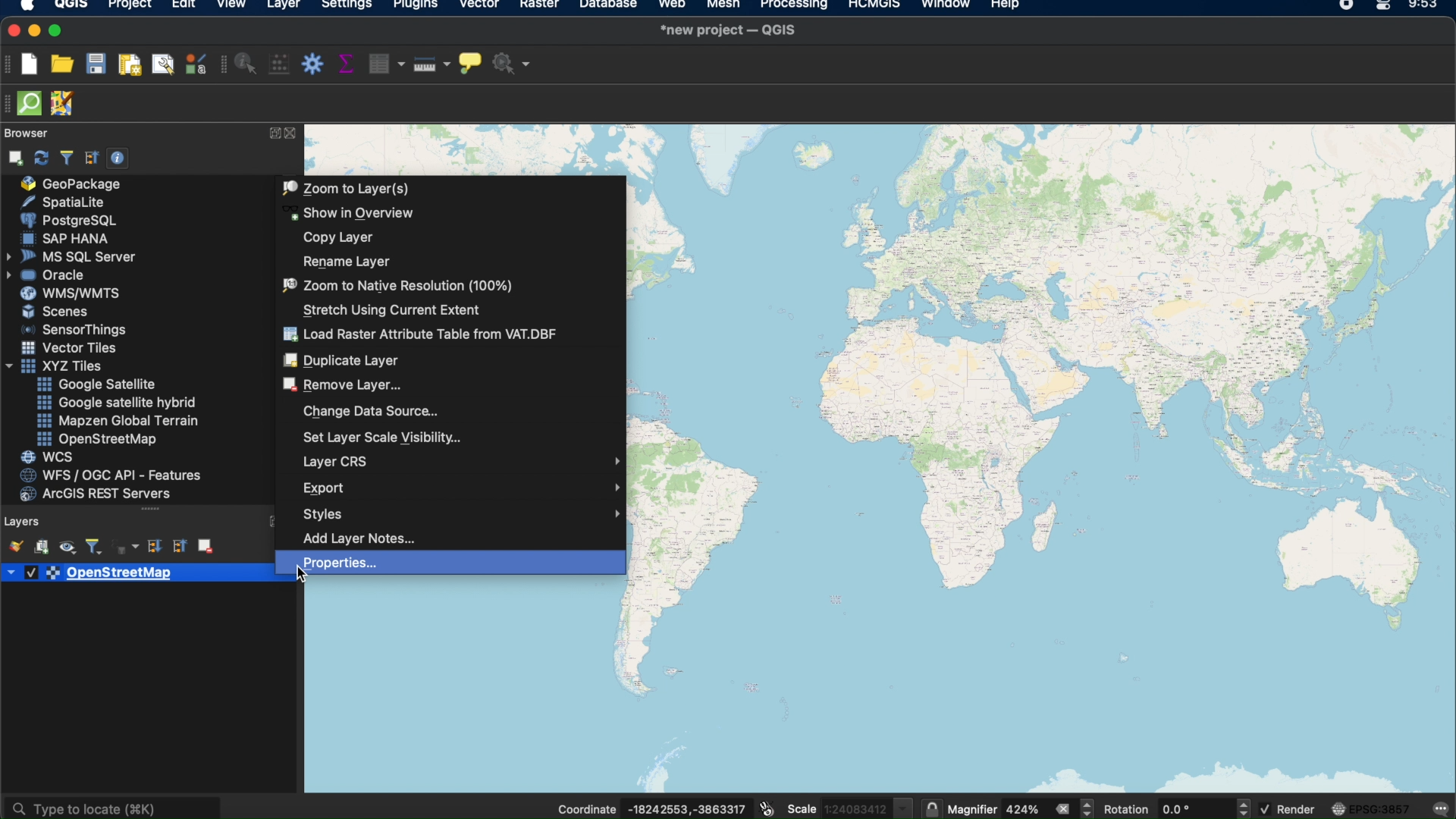 The width and height of the screenshot is (1456, 819). I want to click on close, so click(11, 31).